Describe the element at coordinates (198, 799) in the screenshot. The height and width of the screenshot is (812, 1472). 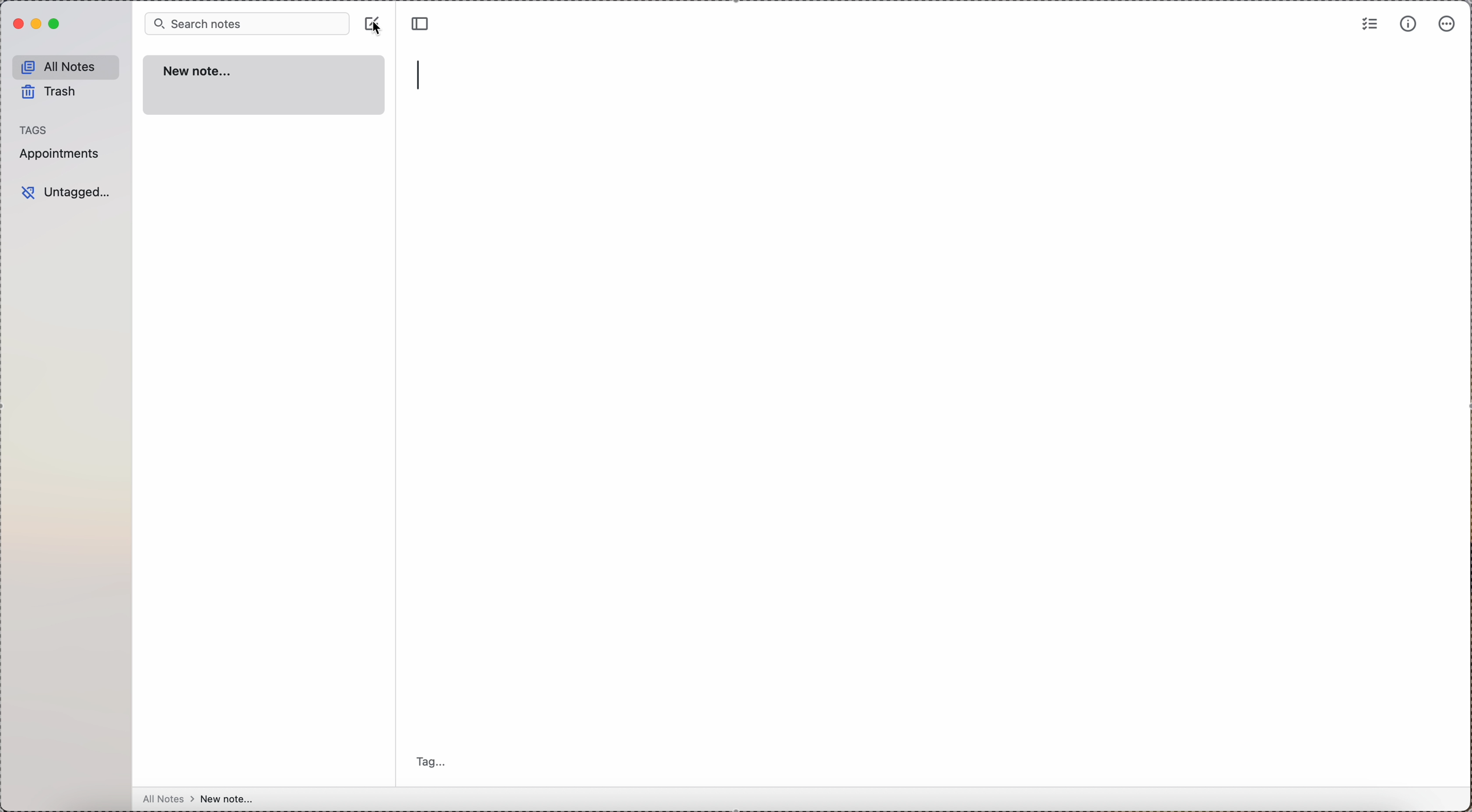
I see `all notes > new note...` at that location.